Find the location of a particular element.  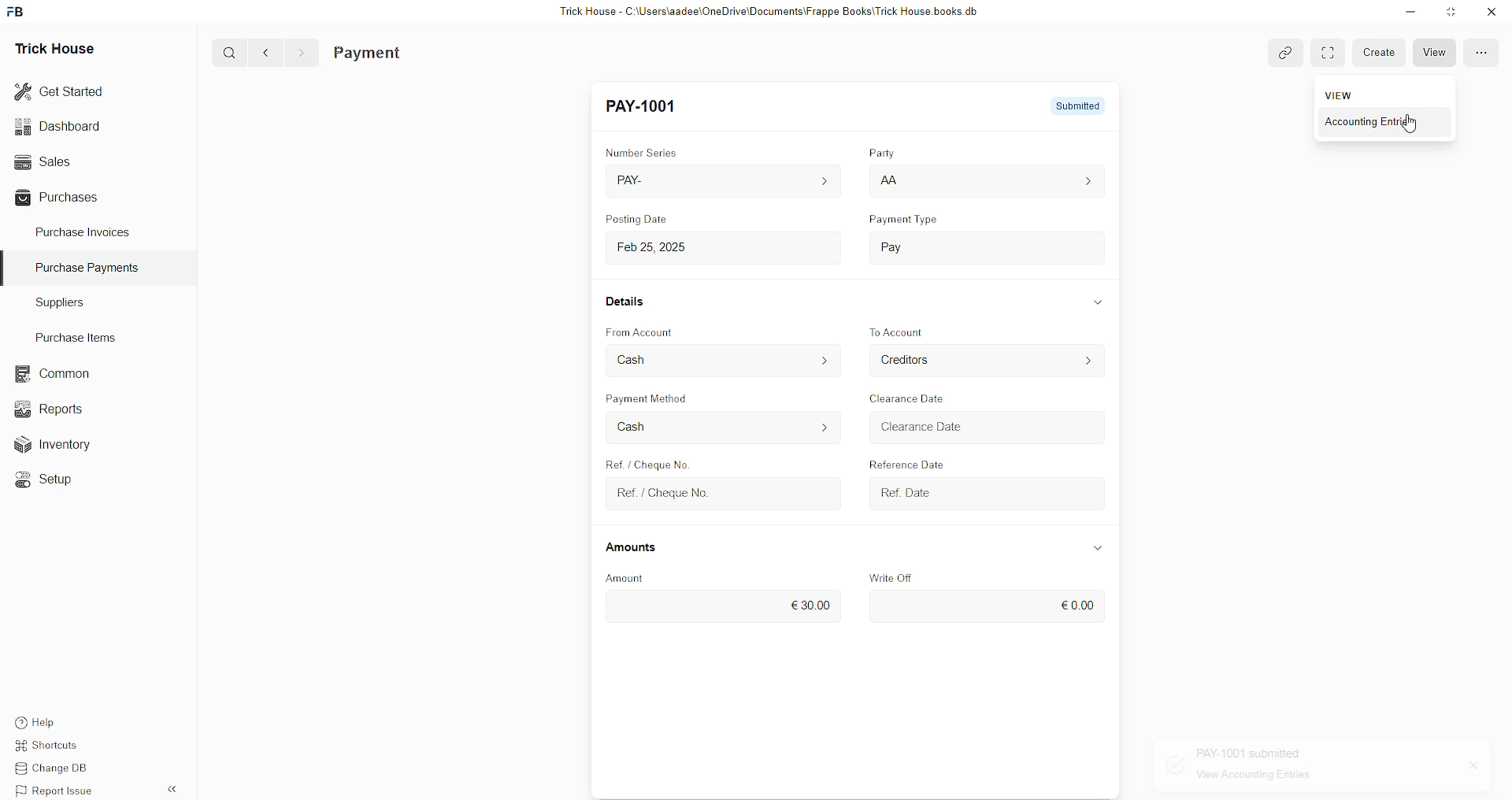

common is located at coordinates (55, 374).